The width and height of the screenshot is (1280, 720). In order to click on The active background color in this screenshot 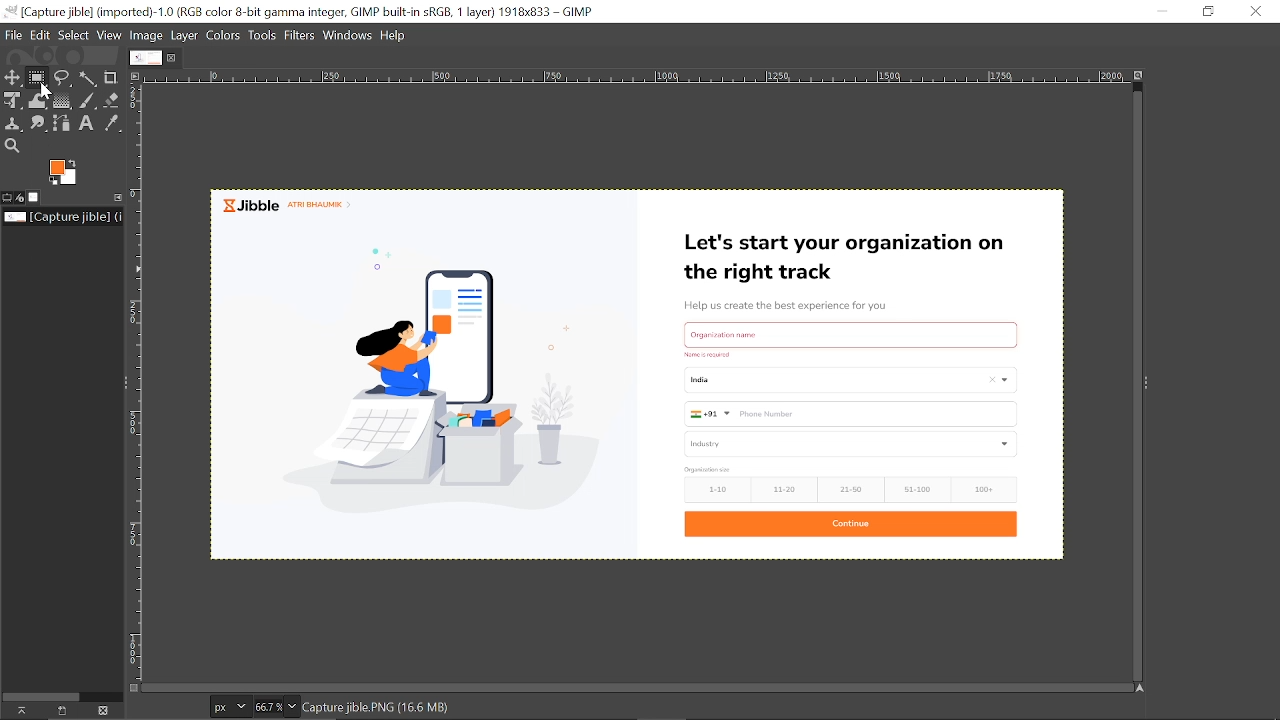, I will do `click(69, 173)`.